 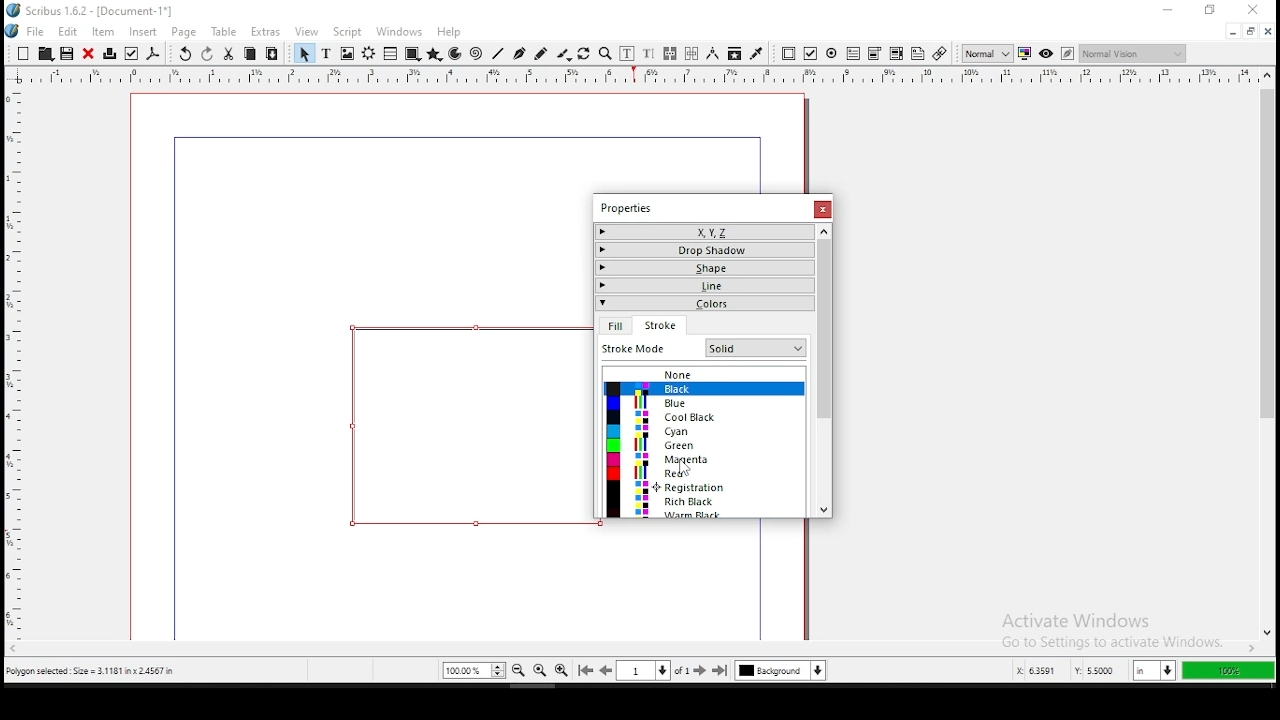 What do you see at coordinates (1151, 671) in the screenshot?
I see `in` at bounding box center [1151, 671].